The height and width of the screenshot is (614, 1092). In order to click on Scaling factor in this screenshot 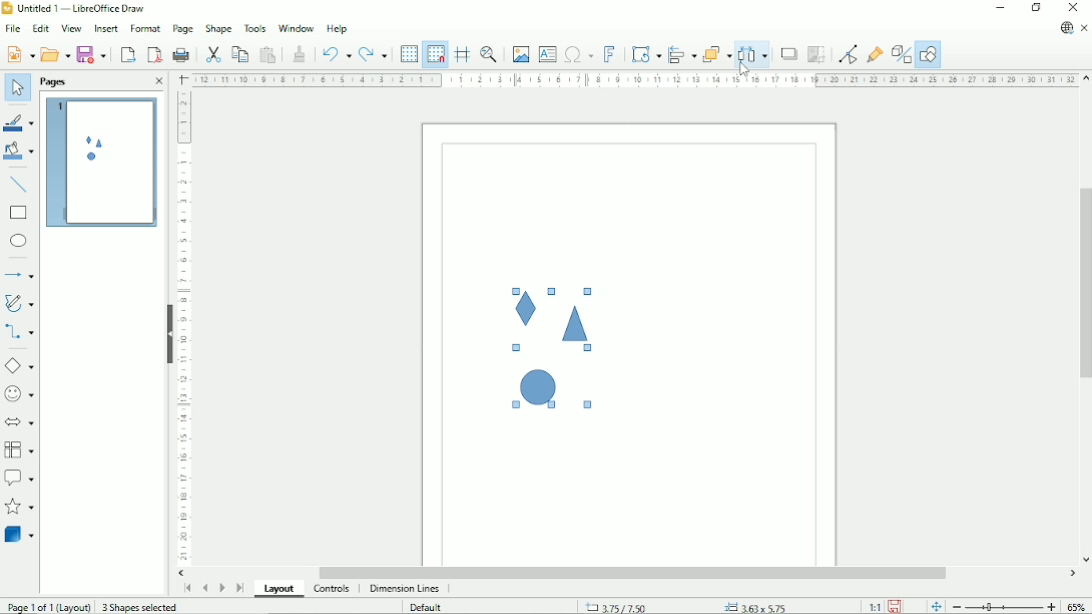, I will do `click(873, 607)`.